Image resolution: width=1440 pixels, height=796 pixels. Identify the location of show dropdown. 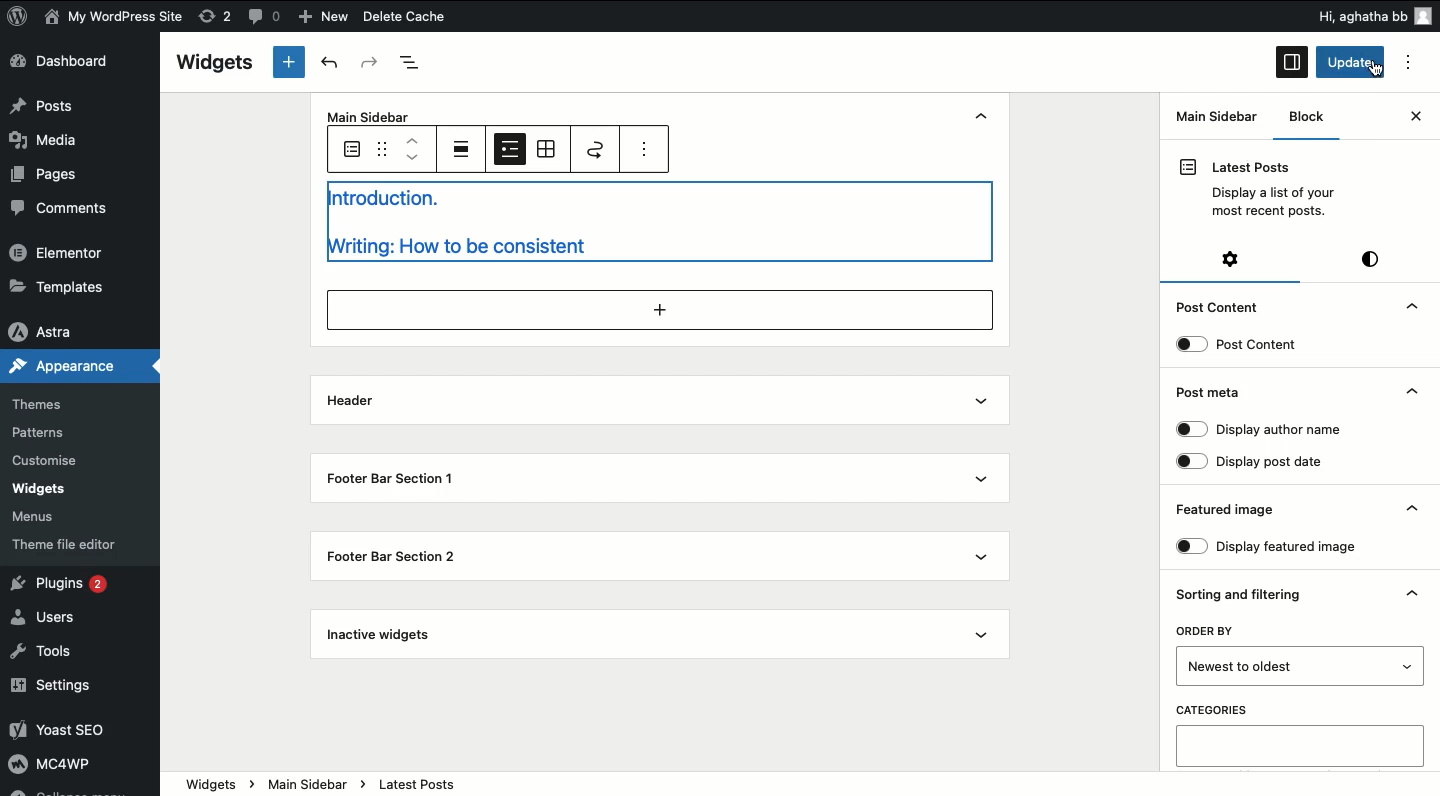
(985, 511).